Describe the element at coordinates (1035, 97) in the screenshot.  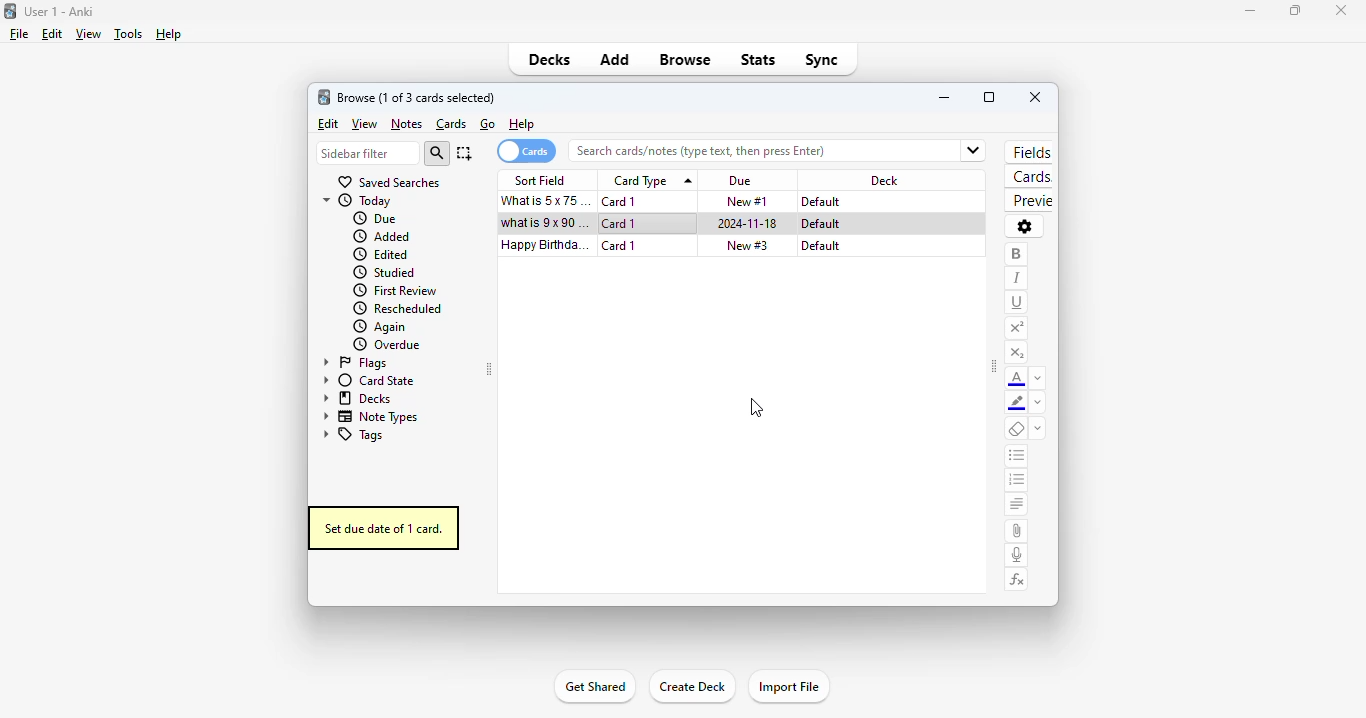
I see `close` at that location.